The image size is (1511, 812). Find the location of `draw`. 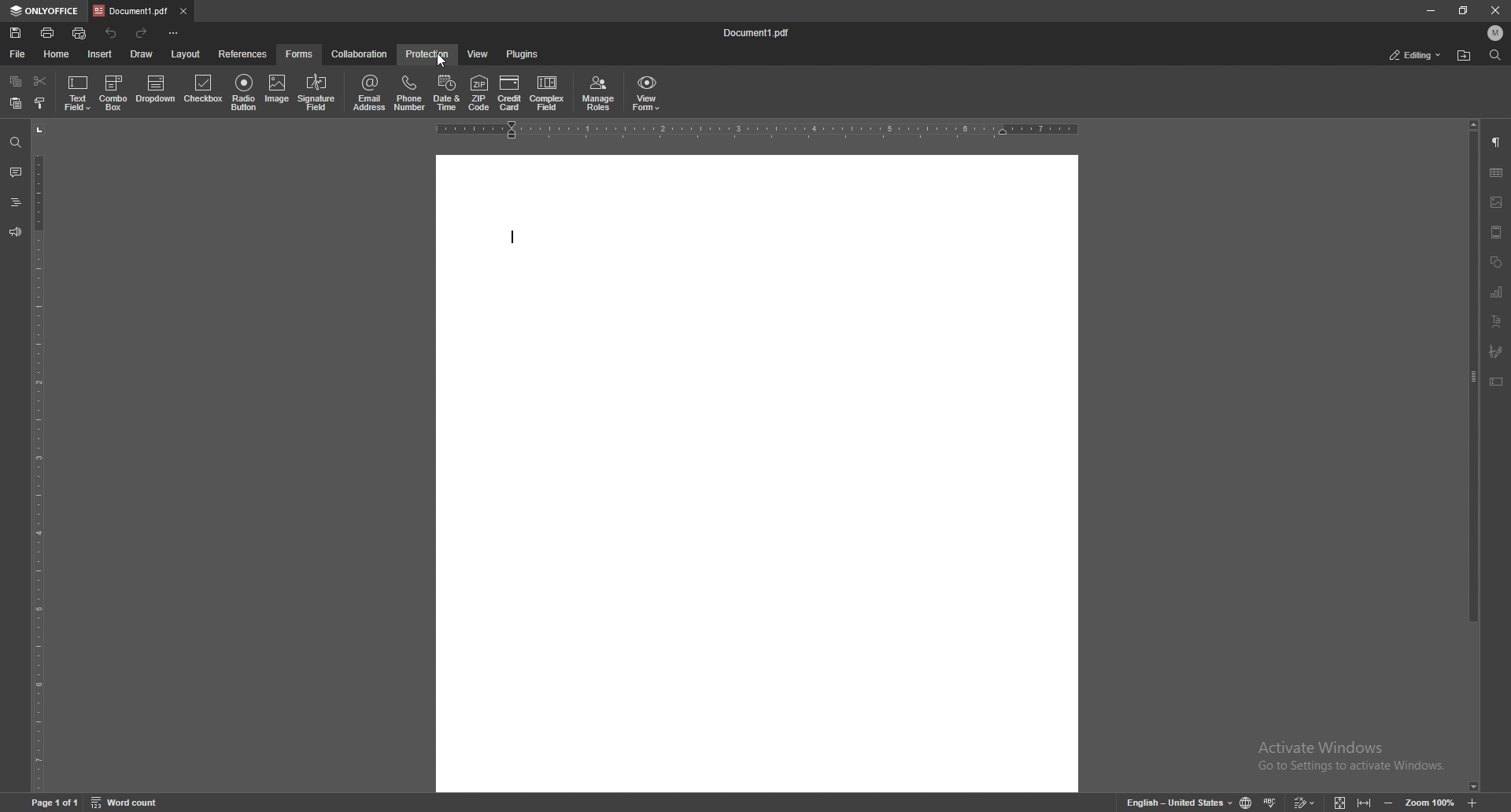

draw is located at coordinates (142, 54).